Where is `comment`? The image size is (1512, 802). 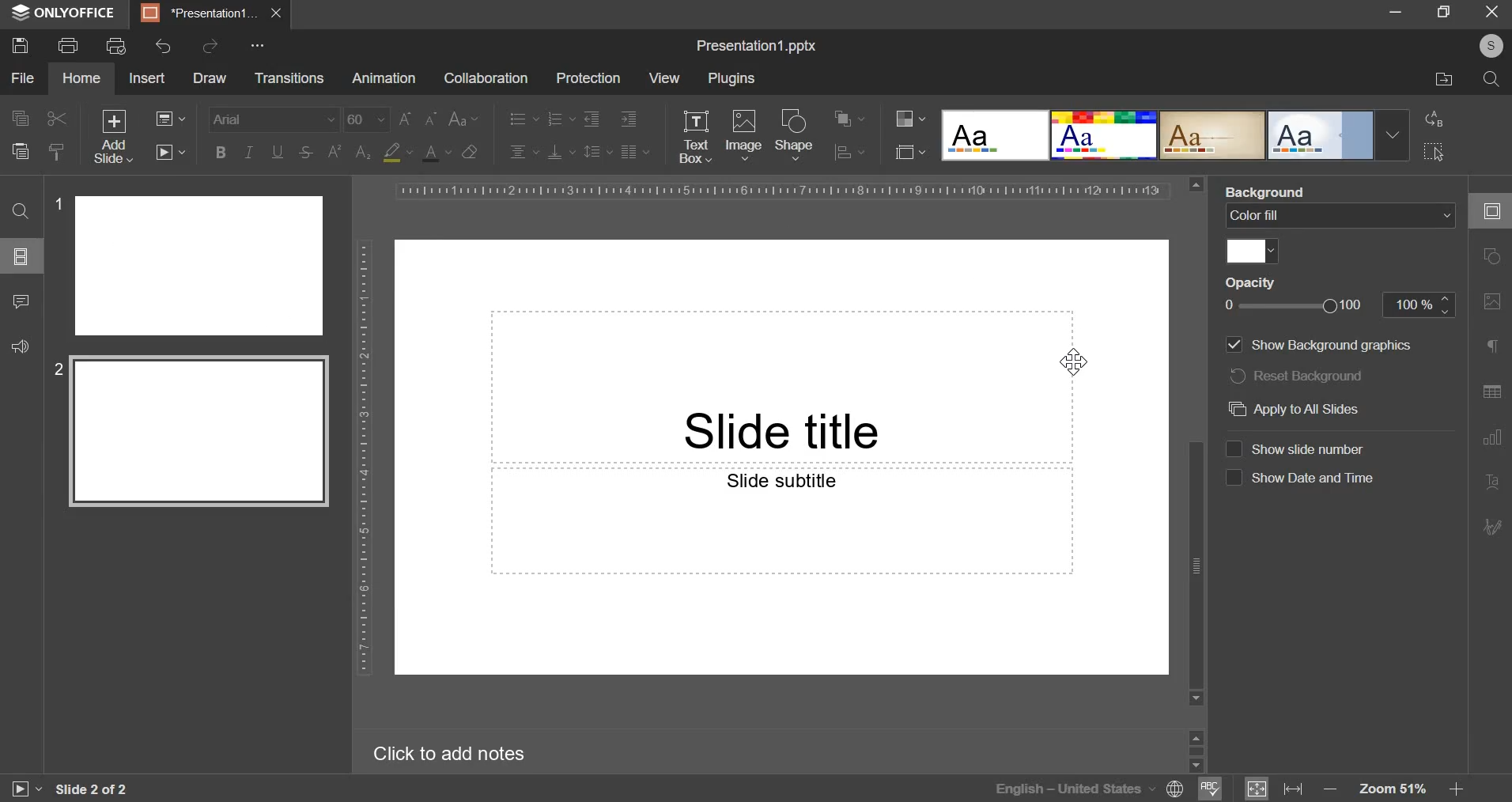 comment is located at coordinates (20, 299).